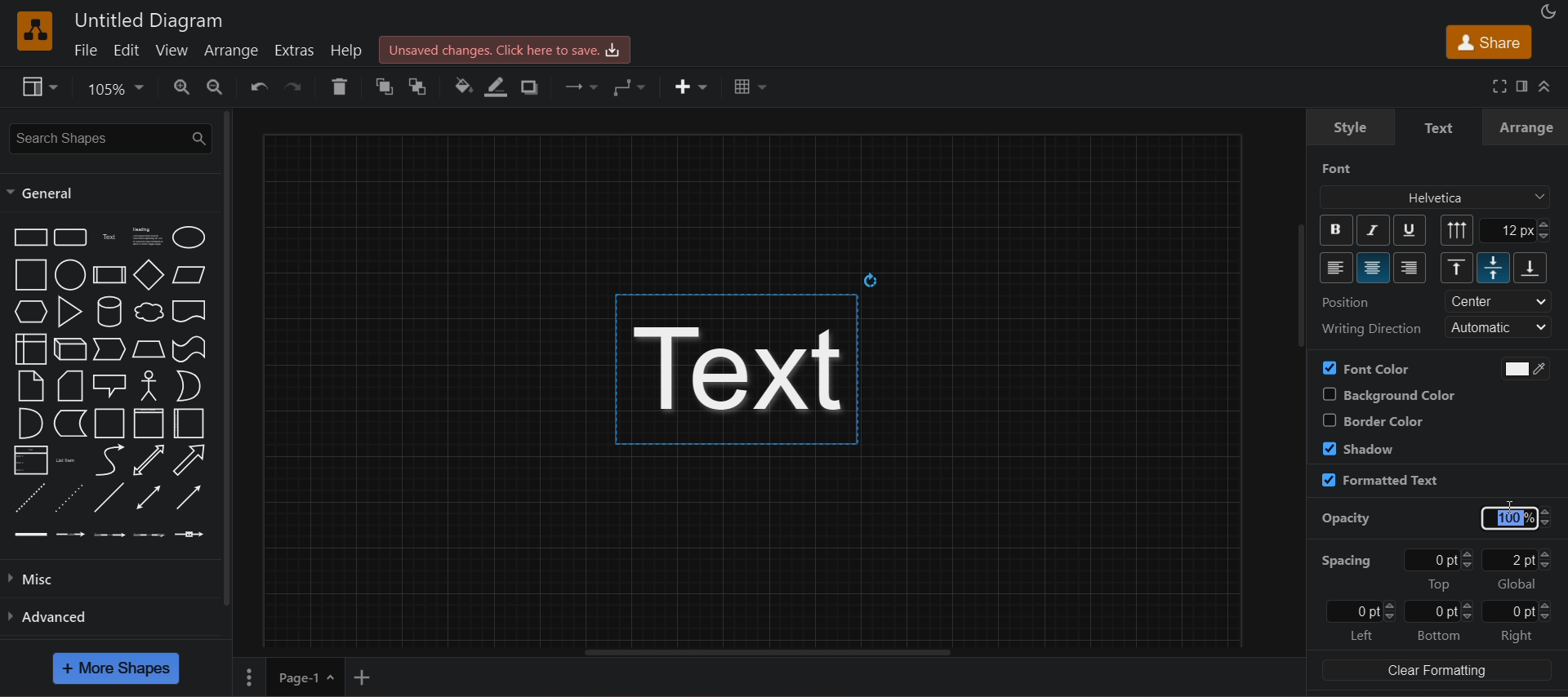 This screenshot has width=1568, height=697. What do you see at coordinates (1497, 85) in the screenshot?
I see `fullscreen` at bounding box center [1497, 85].